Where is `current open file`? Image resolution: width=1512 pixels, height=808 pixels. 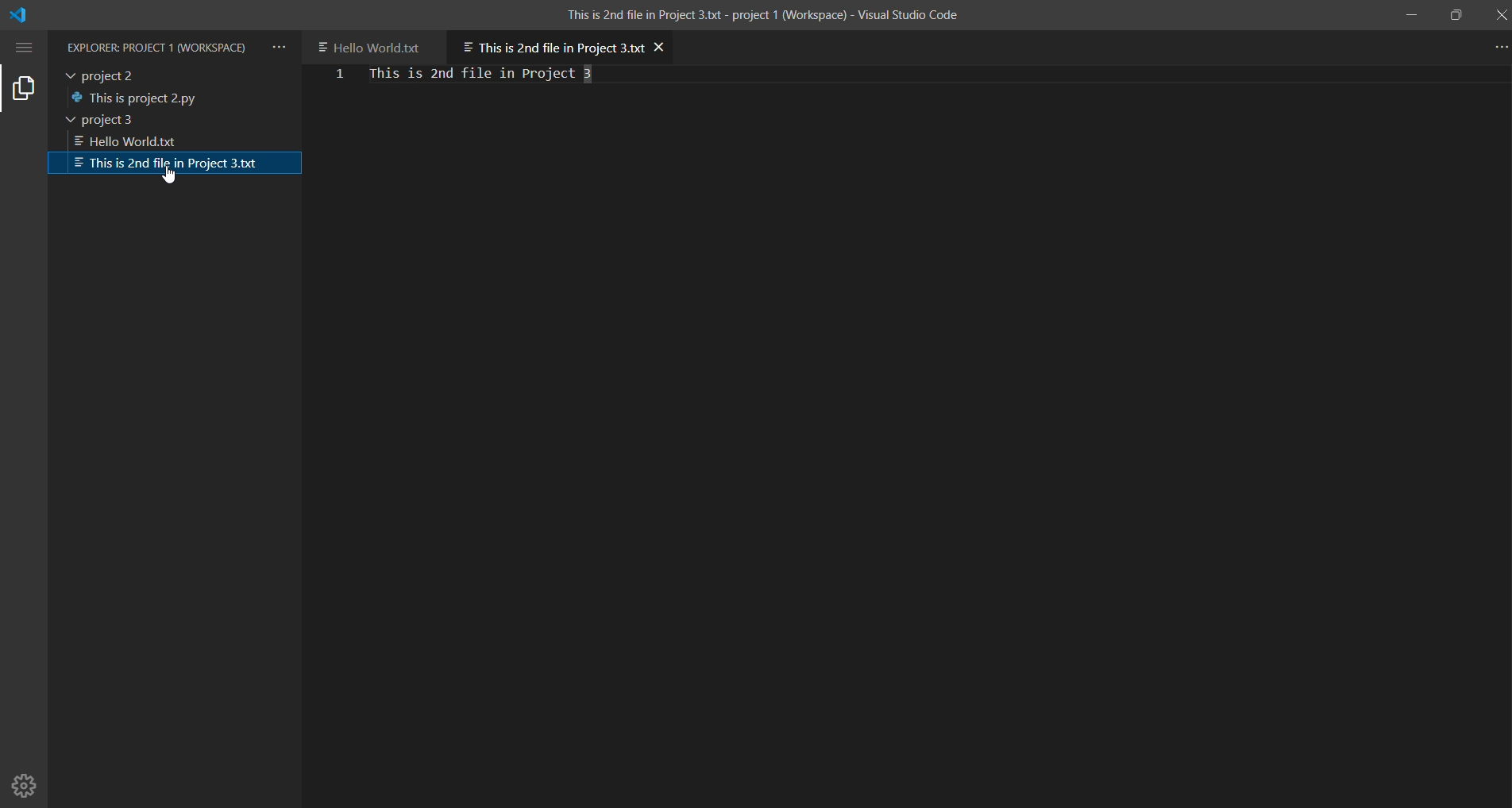 current open file is located at coordinates (550, 44).